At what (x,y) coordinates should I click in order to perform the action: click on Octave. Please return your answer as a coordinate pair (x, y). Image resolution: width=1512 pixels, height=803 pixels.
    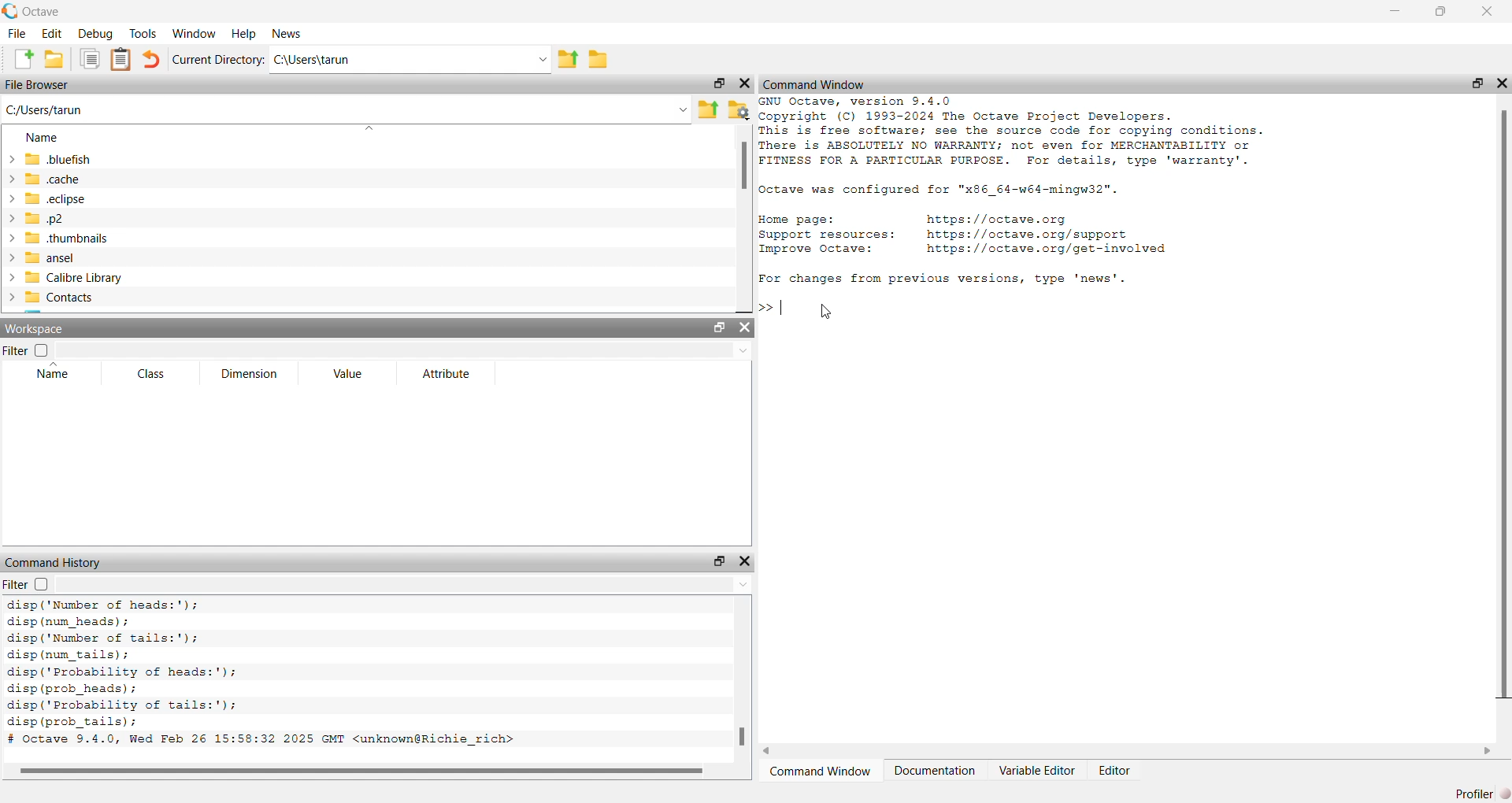
    Looking at the image, I should click on (42, 12).